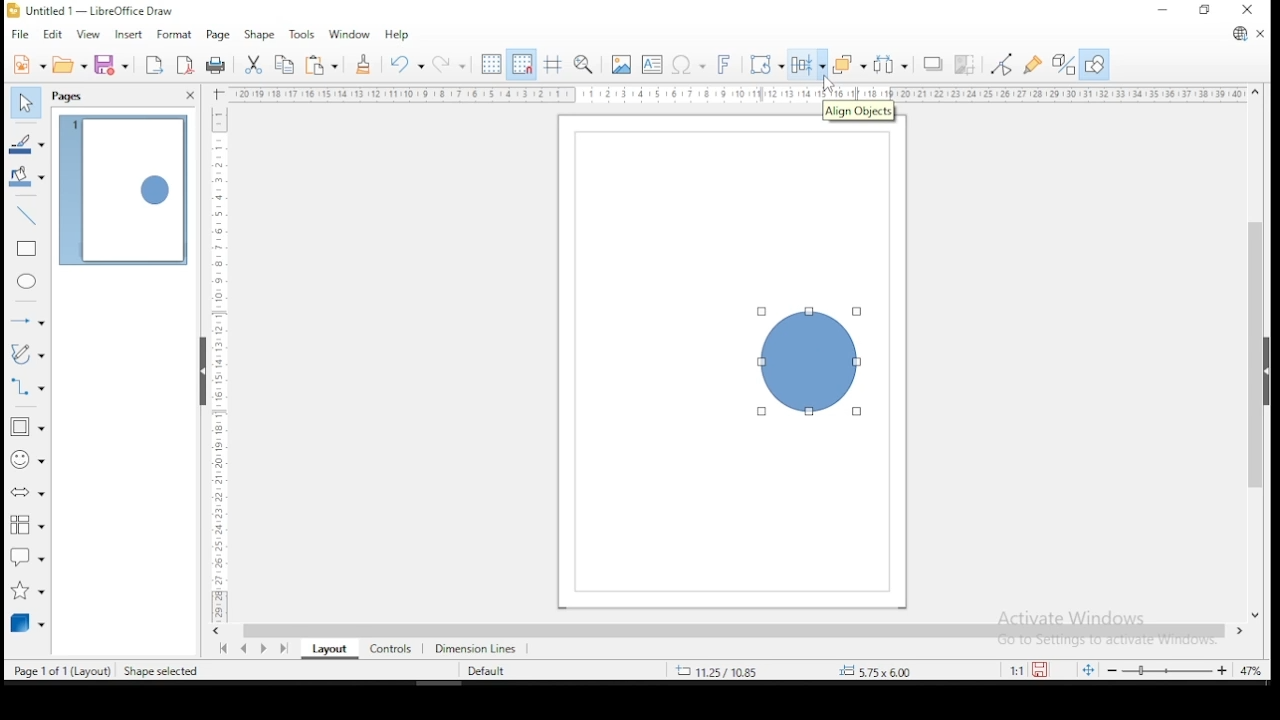 The image size is (1280, 720). What do you see at coordinates (28, 427) in the screenshot?
I see `simple shapes` at bounding box center [28, 427].